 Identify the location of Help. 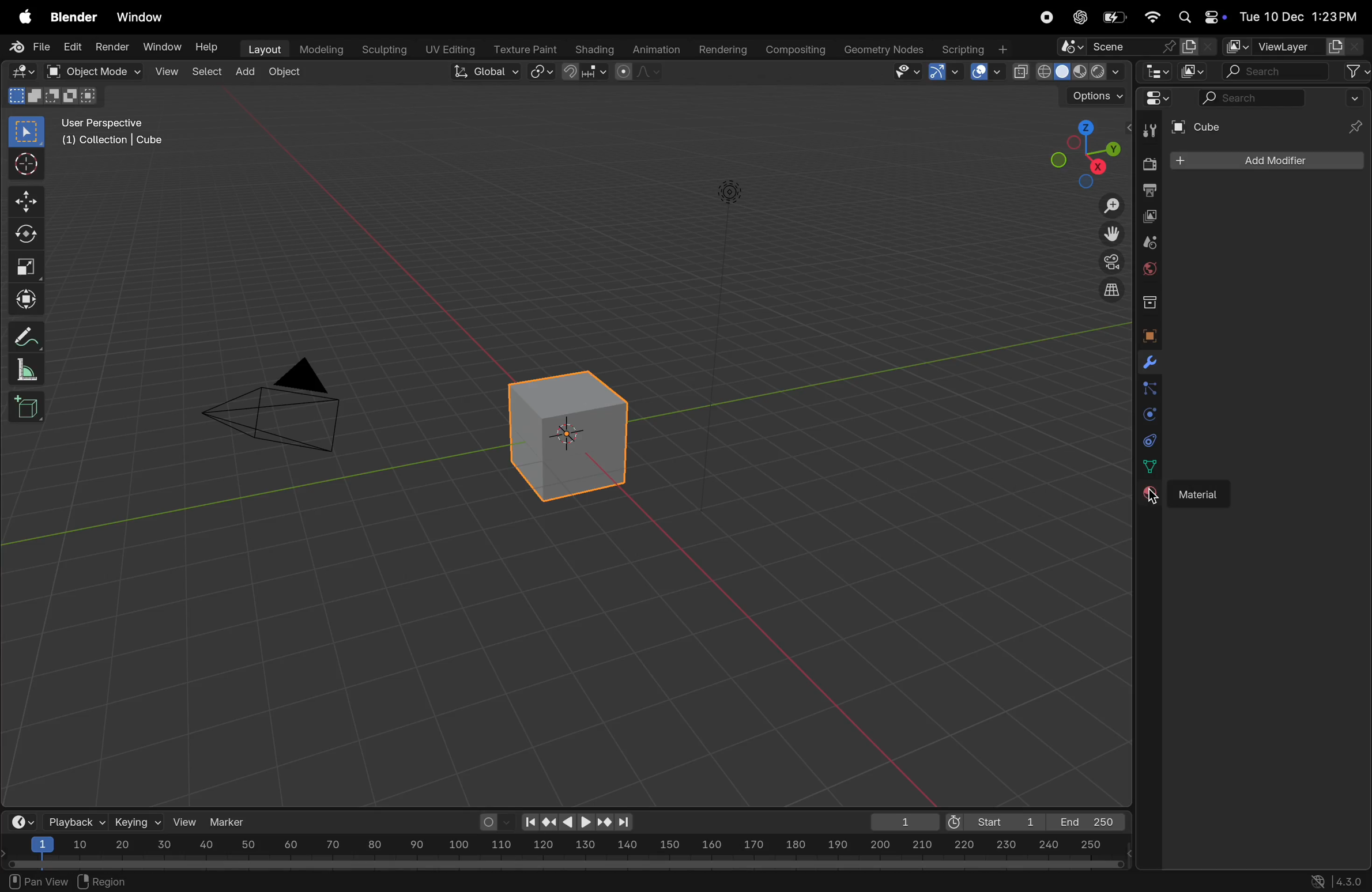
(209, 48).